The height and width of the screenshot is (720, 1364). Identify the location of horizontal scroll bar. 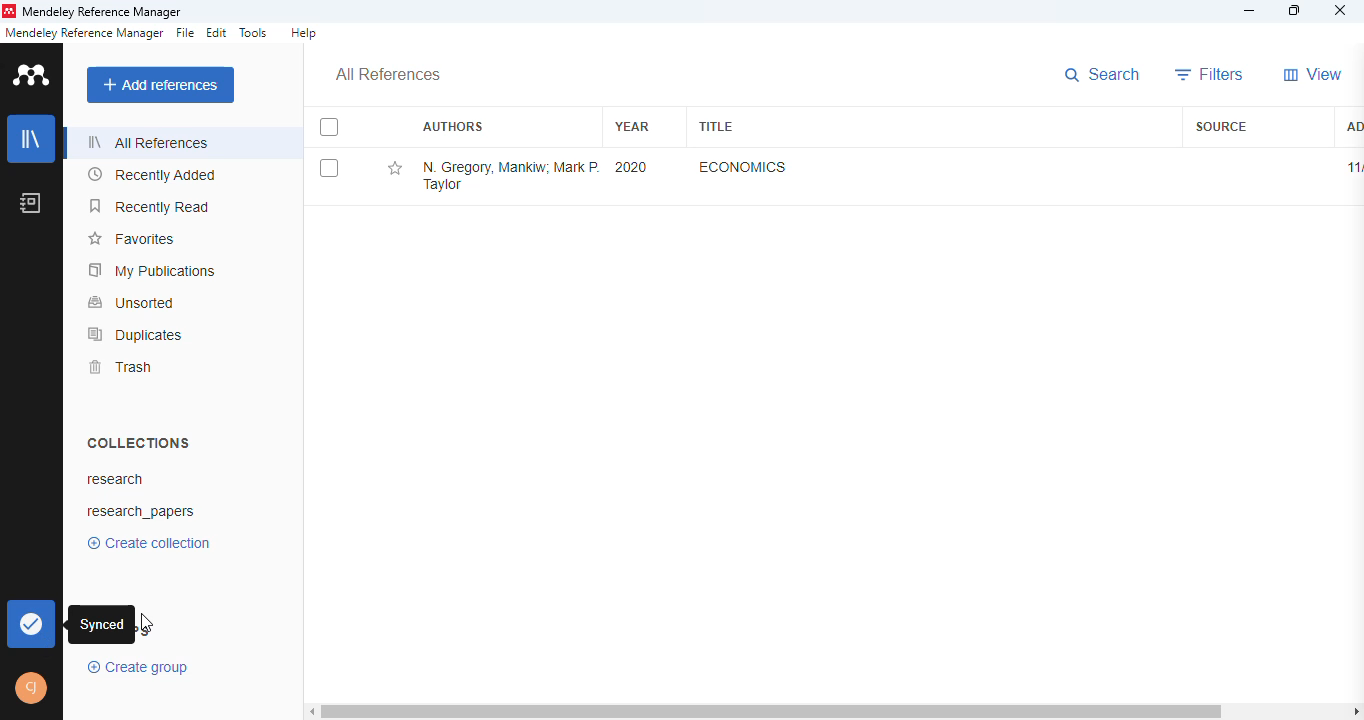
(772, 712).